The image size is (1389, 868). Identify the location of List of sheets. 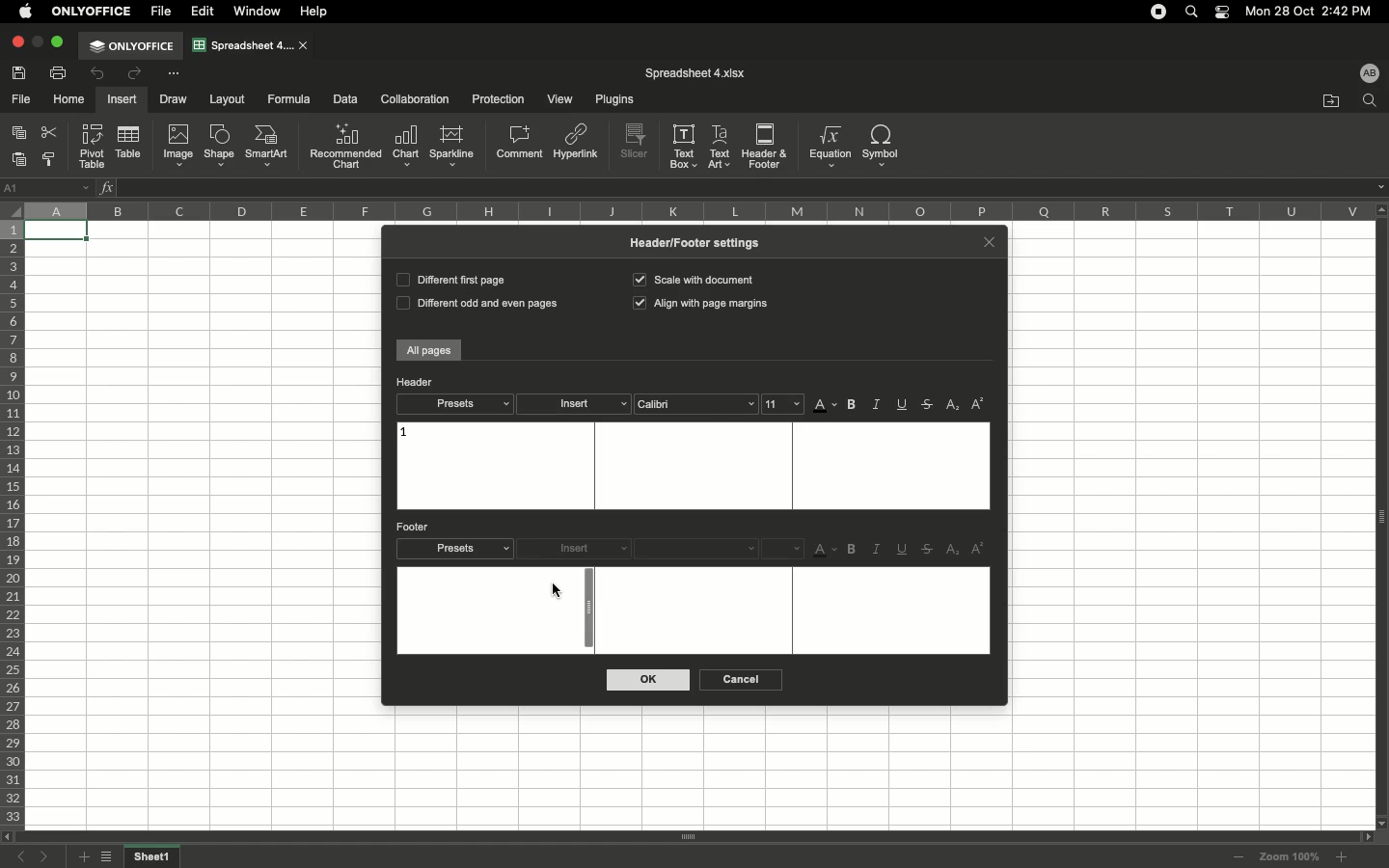
(111, 858).